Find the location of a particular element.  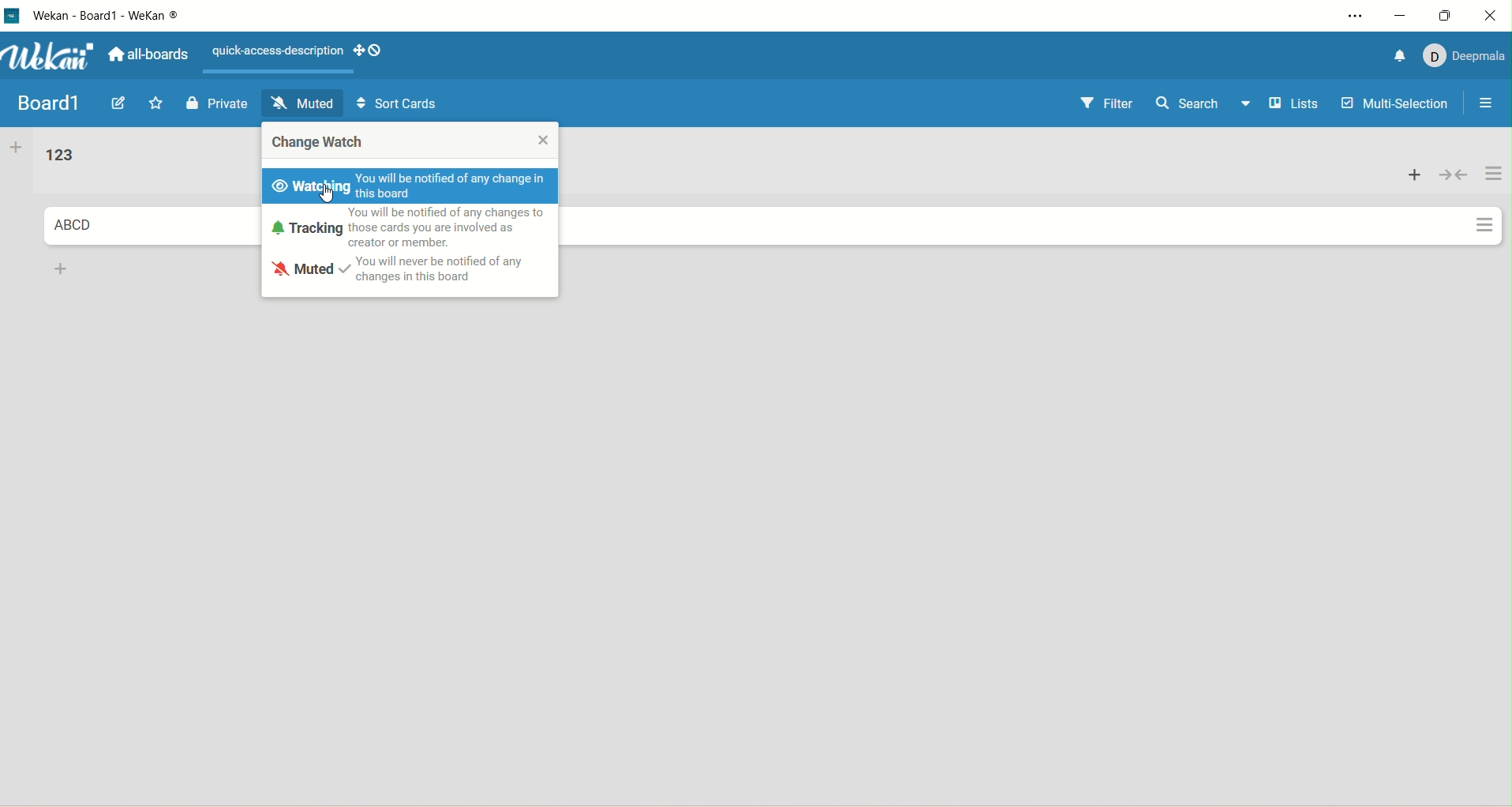

logo is located at coordinates (13, 17).